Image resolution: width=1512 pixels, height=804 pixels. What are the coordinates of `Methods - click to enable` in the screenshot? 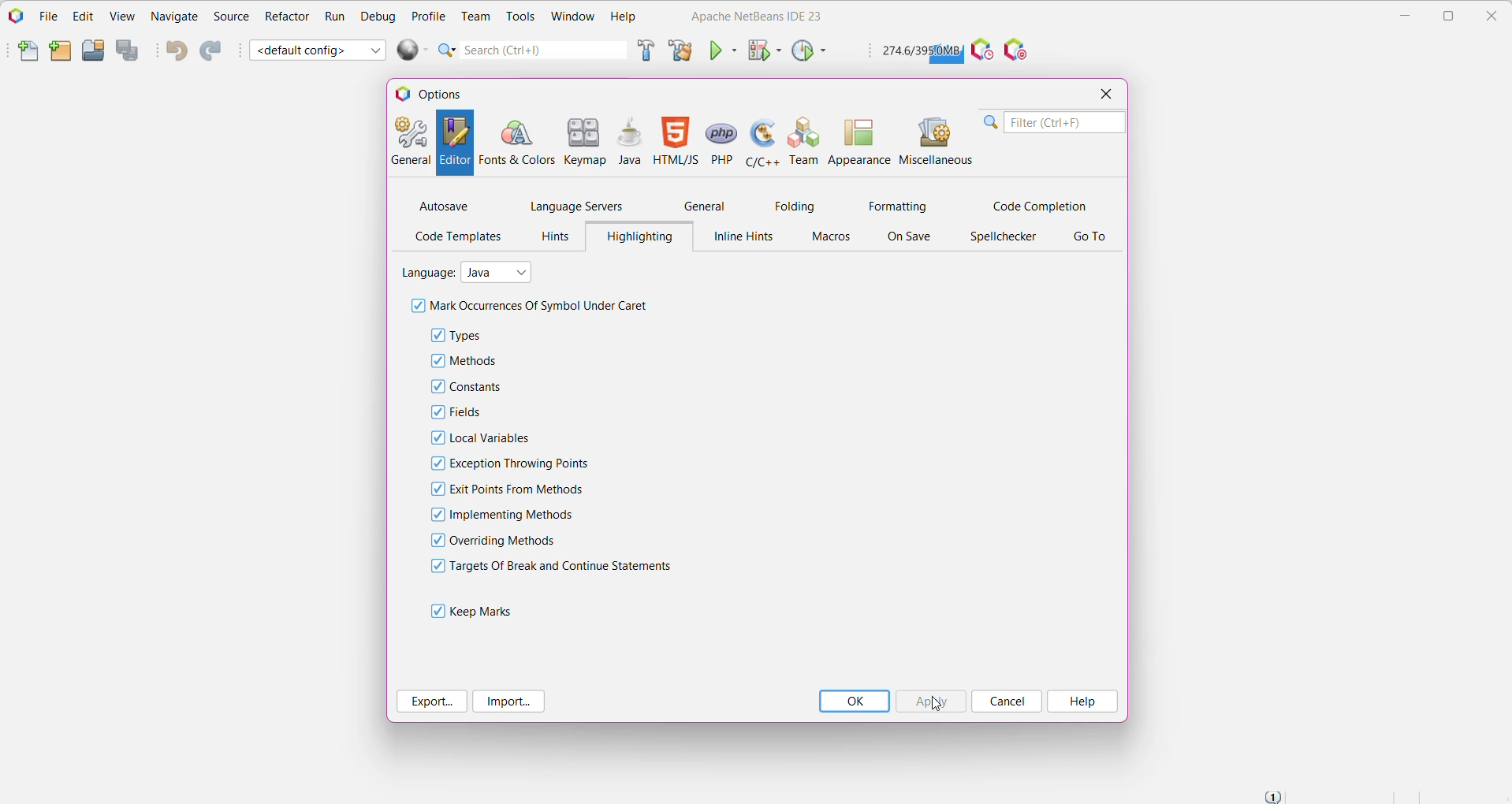 It's located at (475, 361).